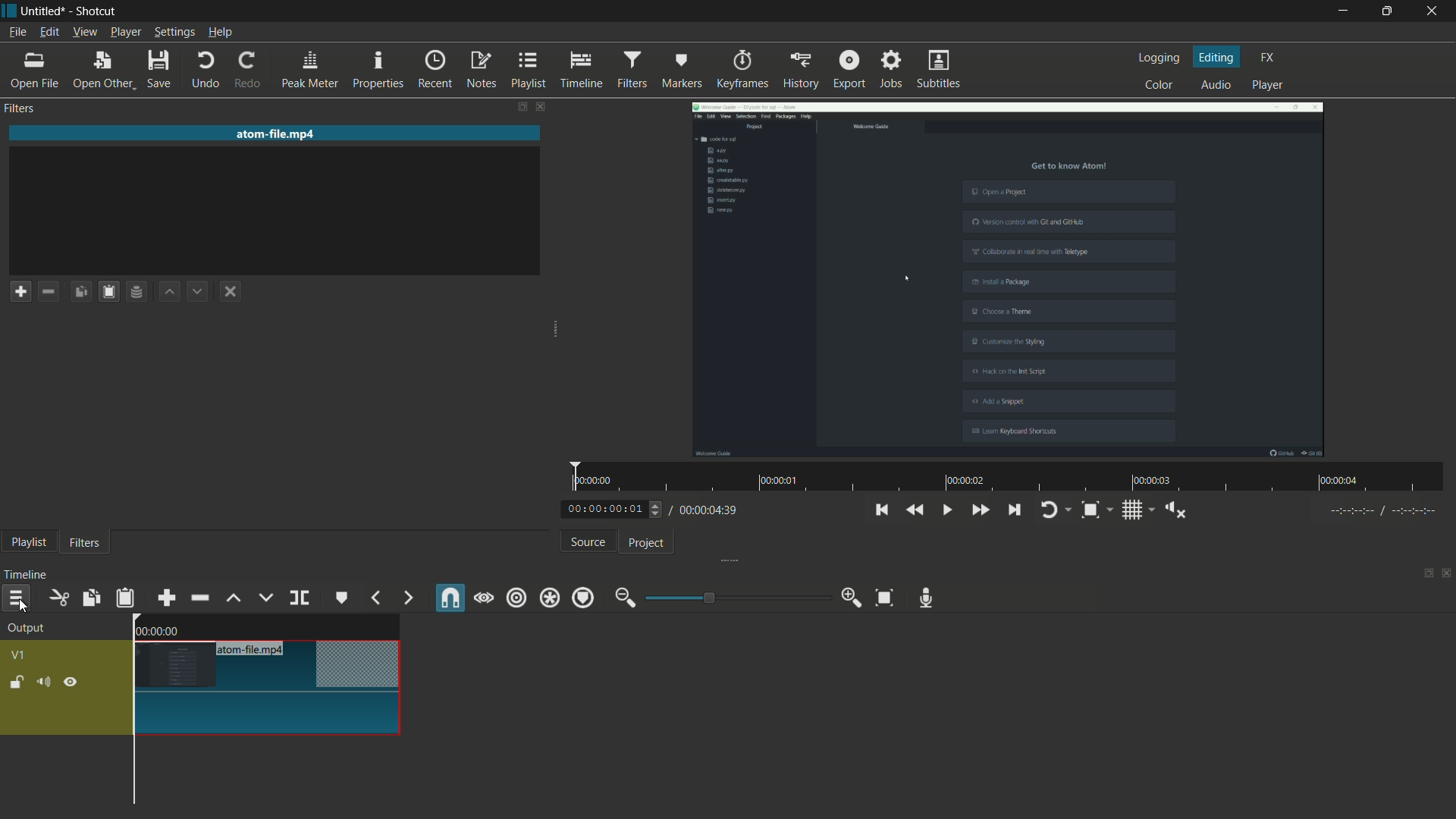 This screenshot has width=1456, height=819. Describe the element at coordinates (849, 69) in the screenshot. I see `export` at that location.